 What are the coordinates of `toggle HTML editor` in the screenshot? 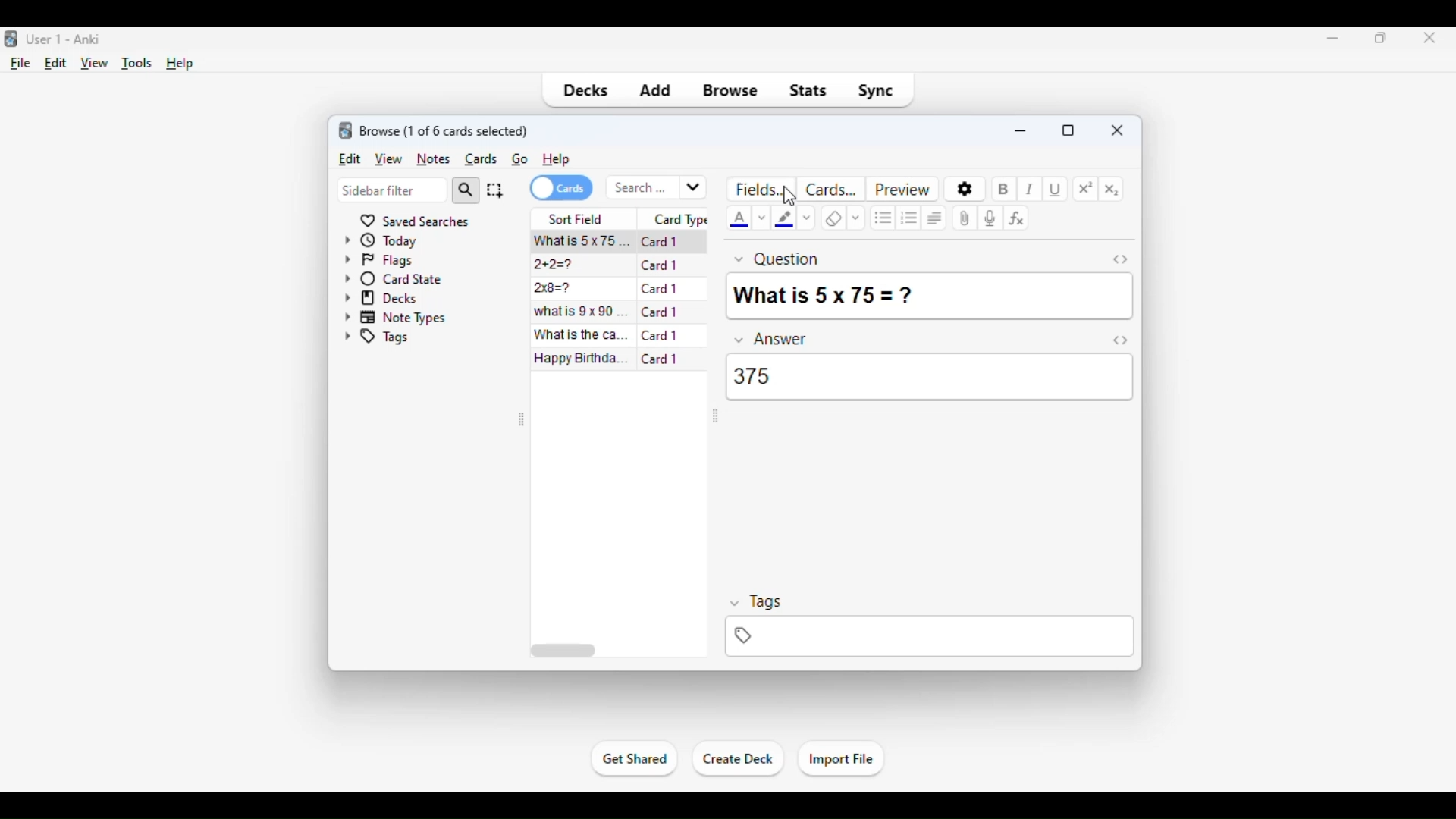 It's located at (1120, 259).